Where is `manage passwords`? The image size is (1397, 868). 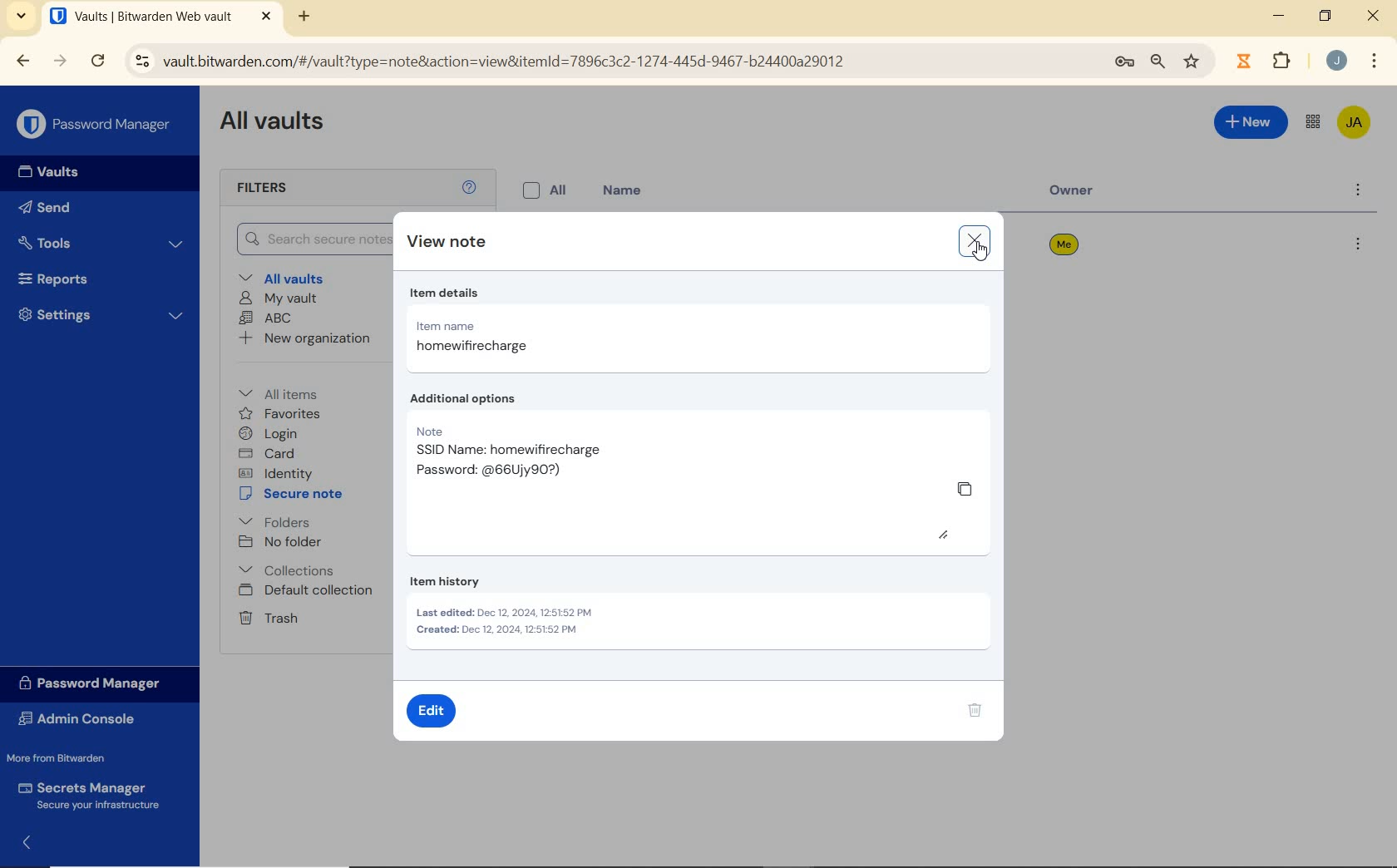
manage passwords is located at coordinates (1124, 65).